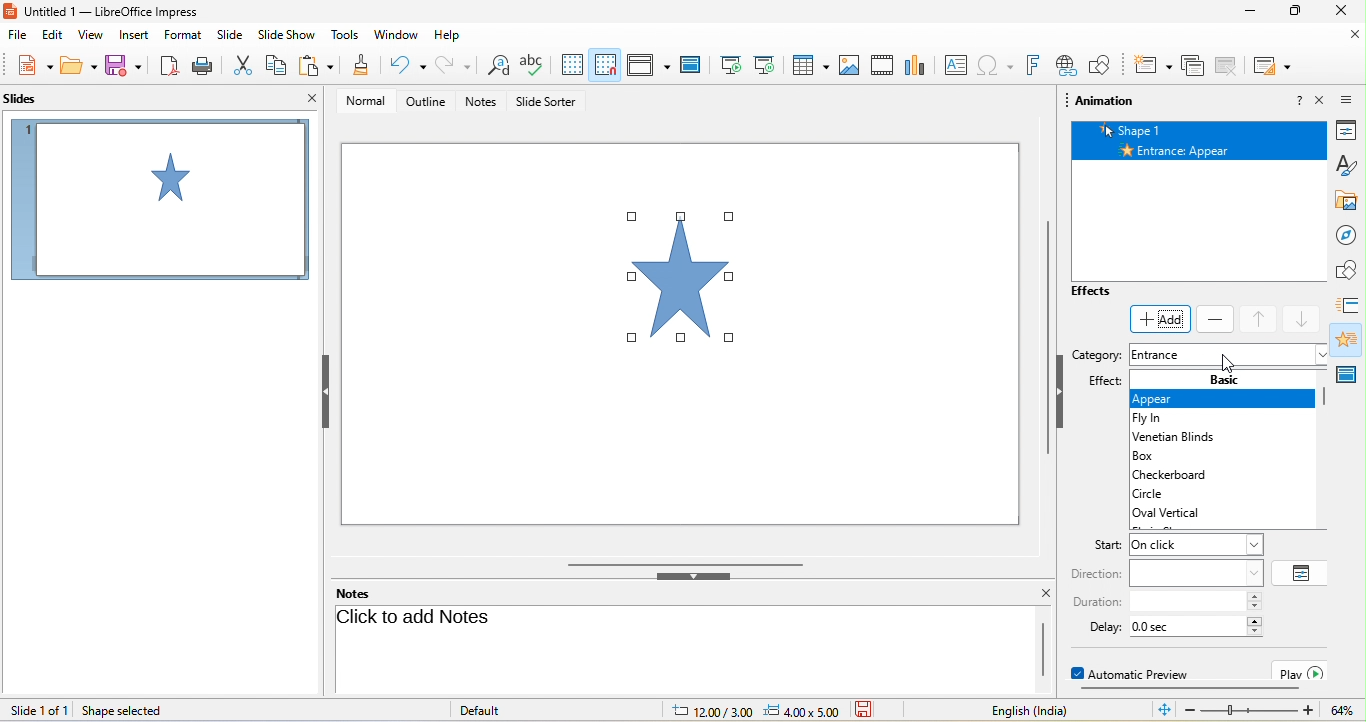  Describe the element at coordinates (1181, 513) in the screenshot. I see `oval vertical` at that location.